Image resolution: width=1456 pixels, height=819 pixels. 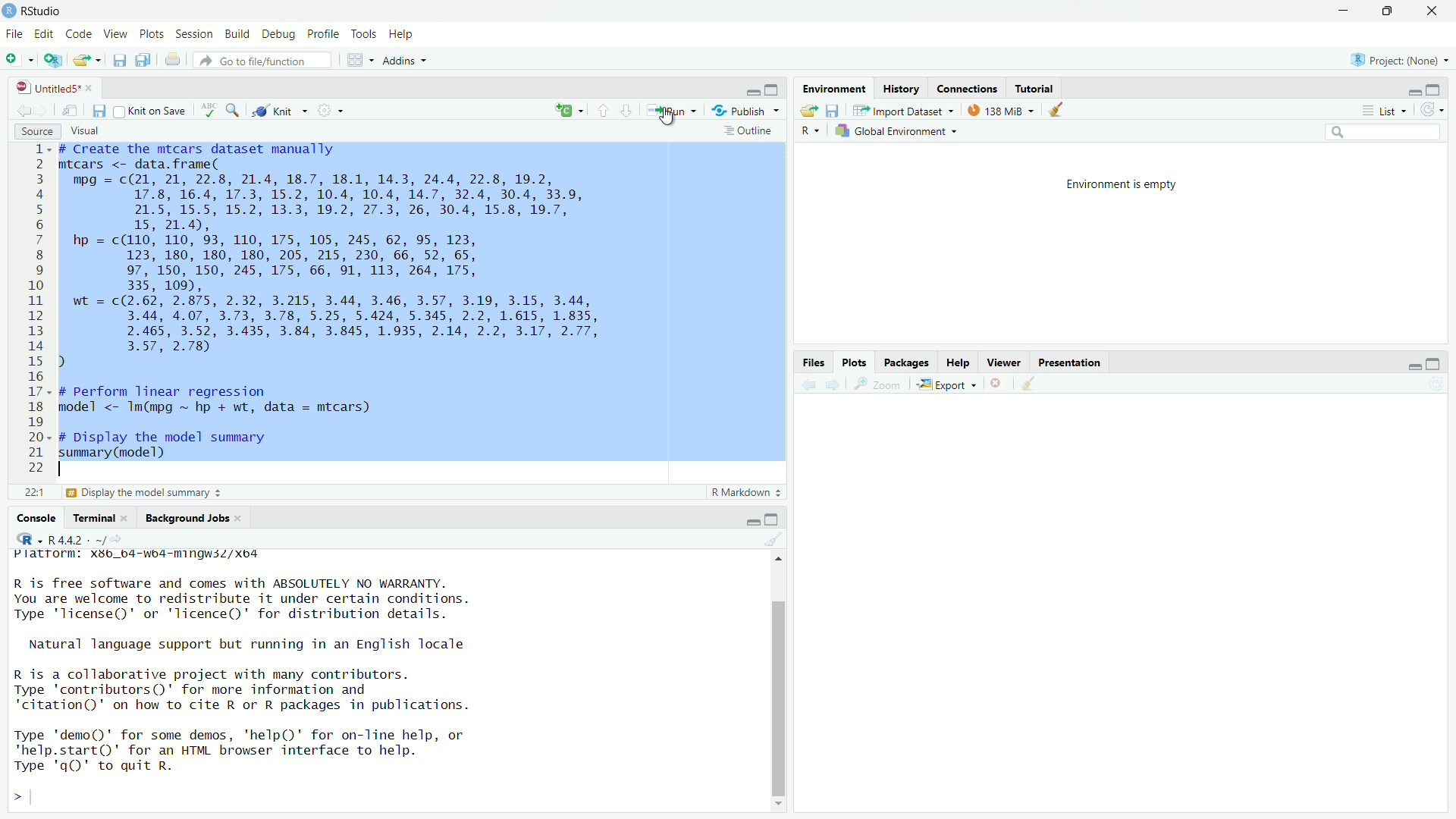 What do you see at coordinates (9, 11) in the screenshot?
I see `app icon` at bounding box center [9, 11].